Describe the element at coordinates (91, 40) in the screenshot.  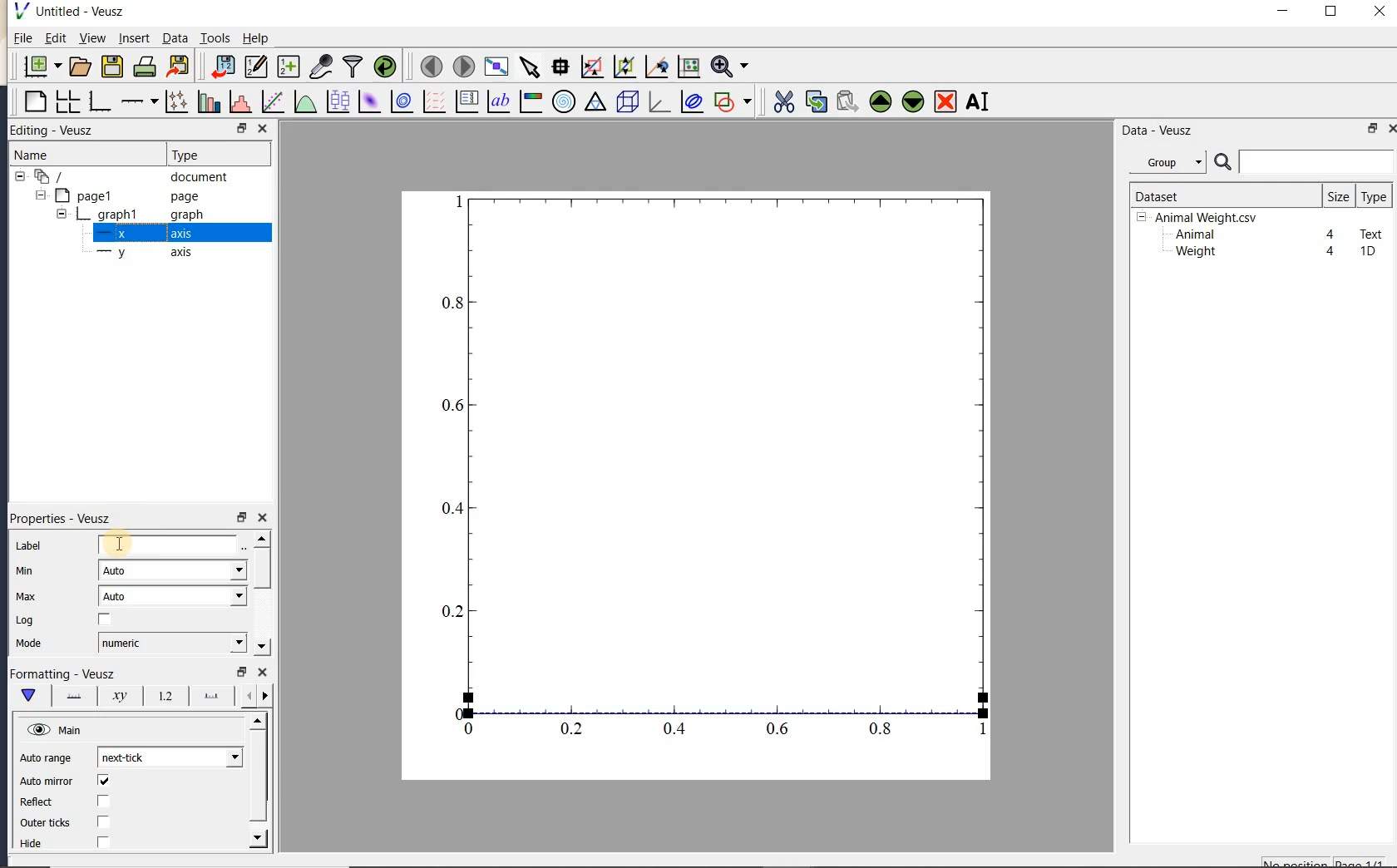
I see `view` at that location.